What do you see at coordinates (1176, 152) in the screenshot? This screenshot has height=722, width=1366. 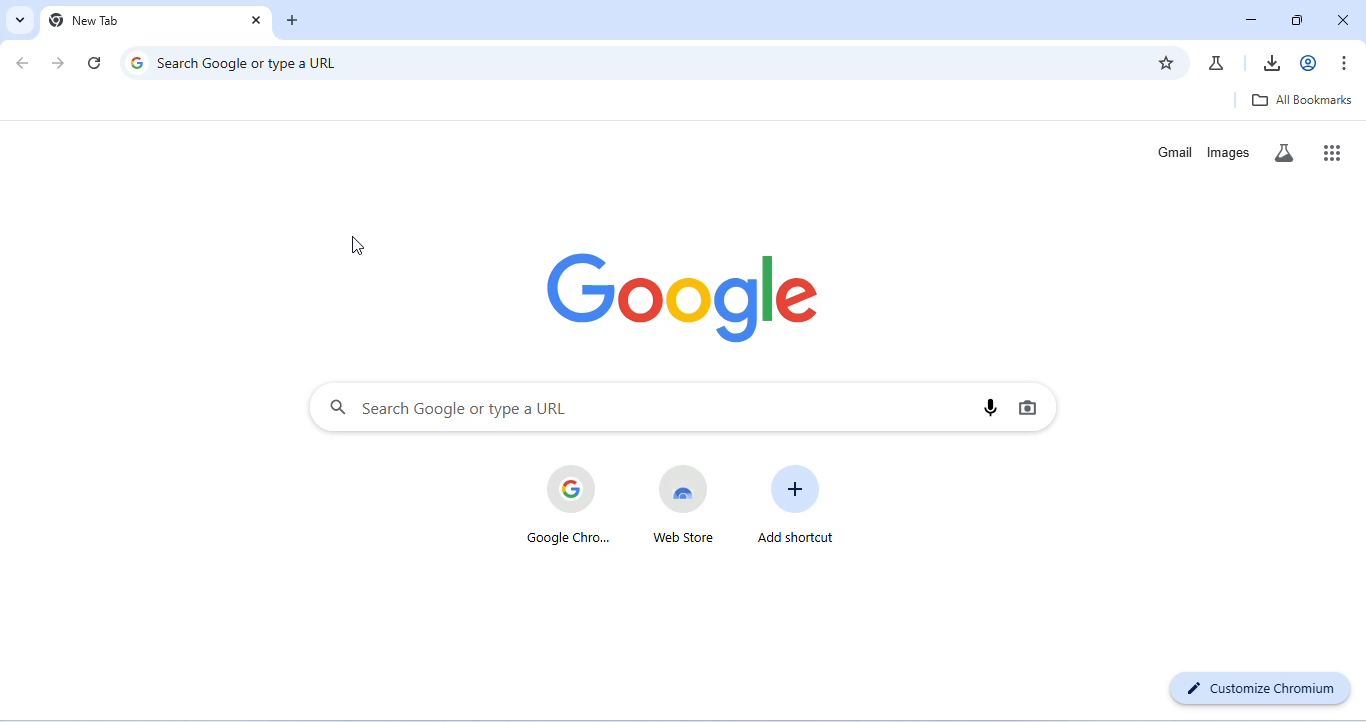 I see `gmail` at bounding box center [1176, 152].